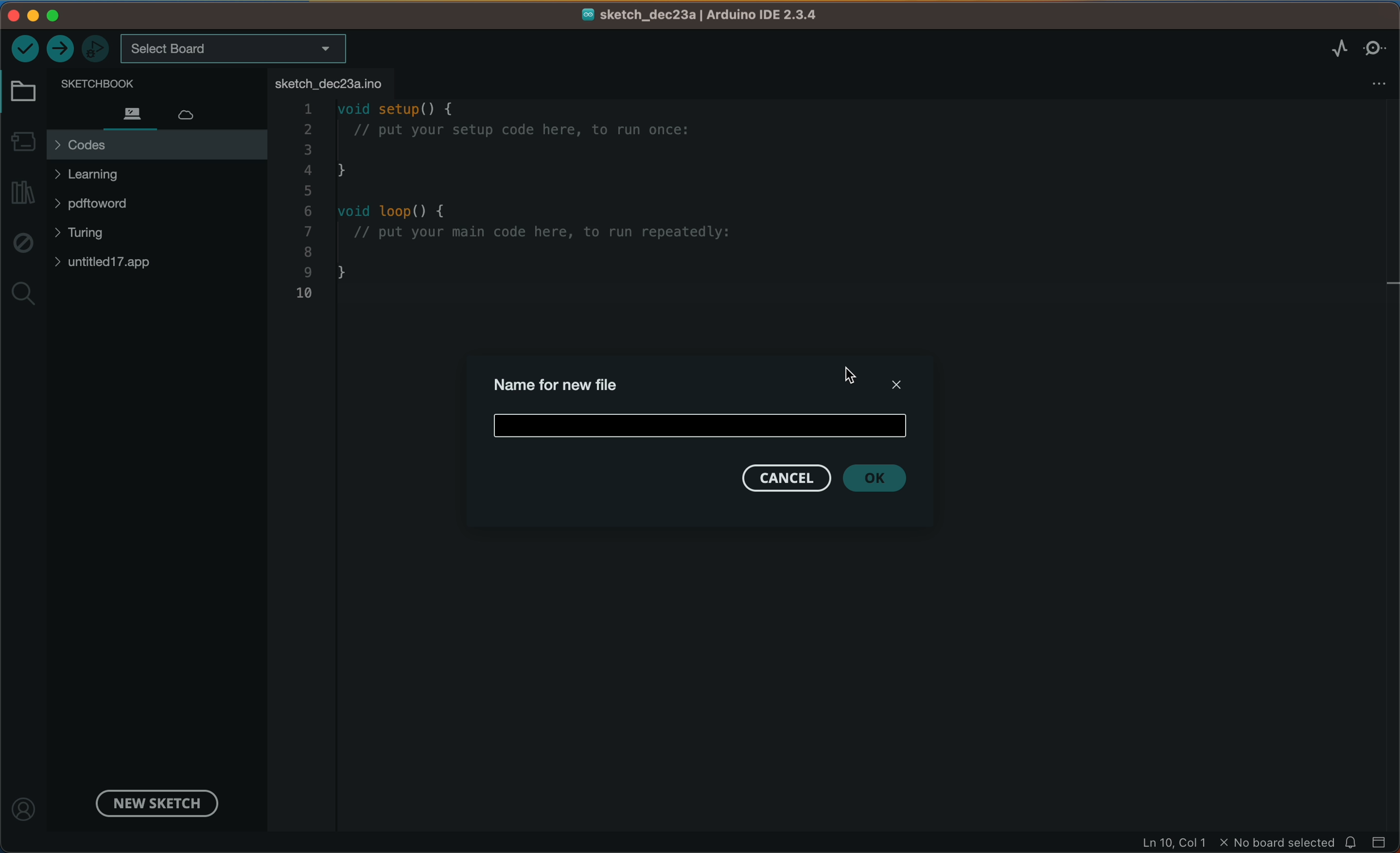  Describe the element at coordinates (23, 139) in the screenshot. I see `board manager` at that location.